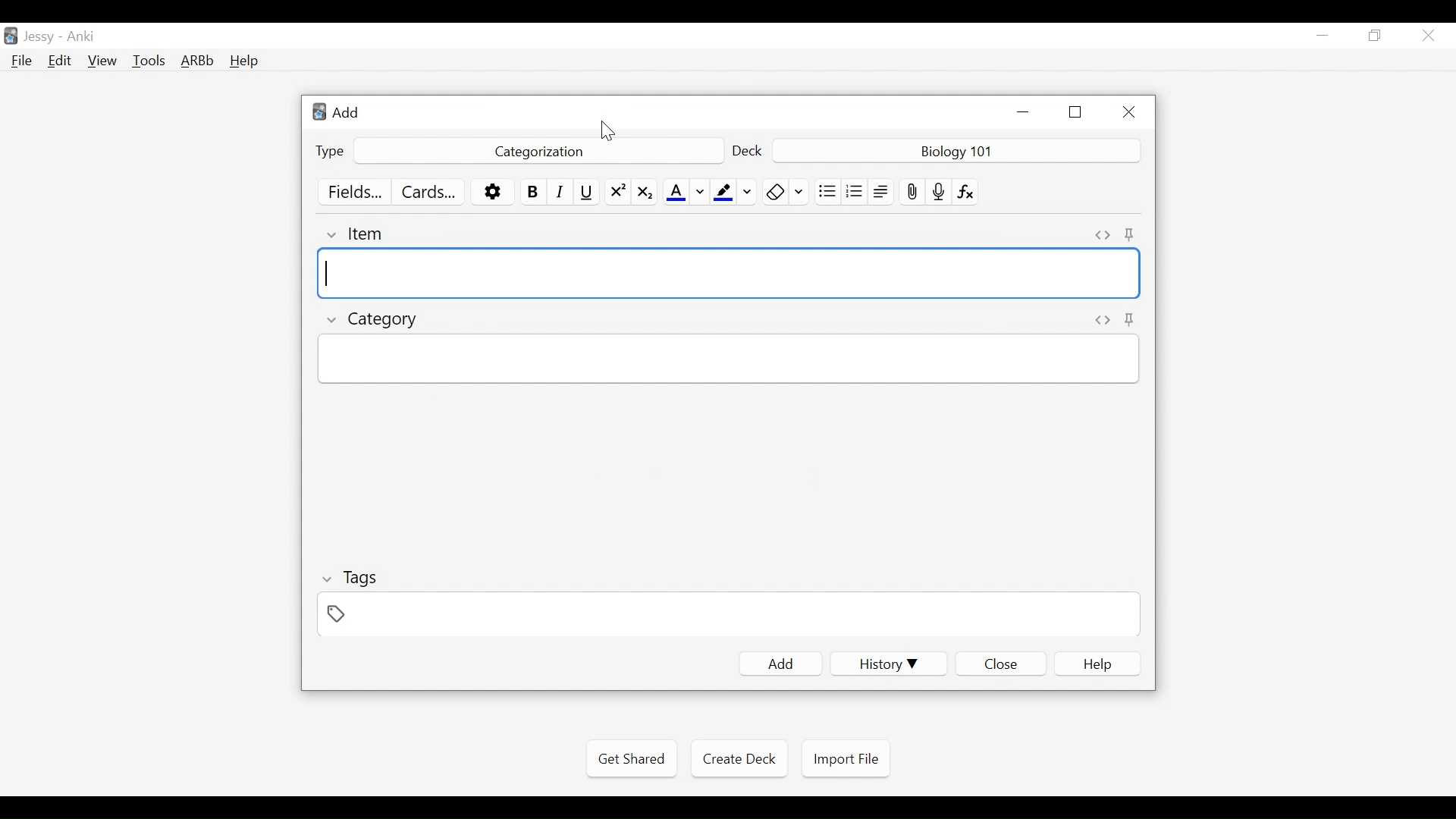  I want to click on Equation, so click(967, 191).